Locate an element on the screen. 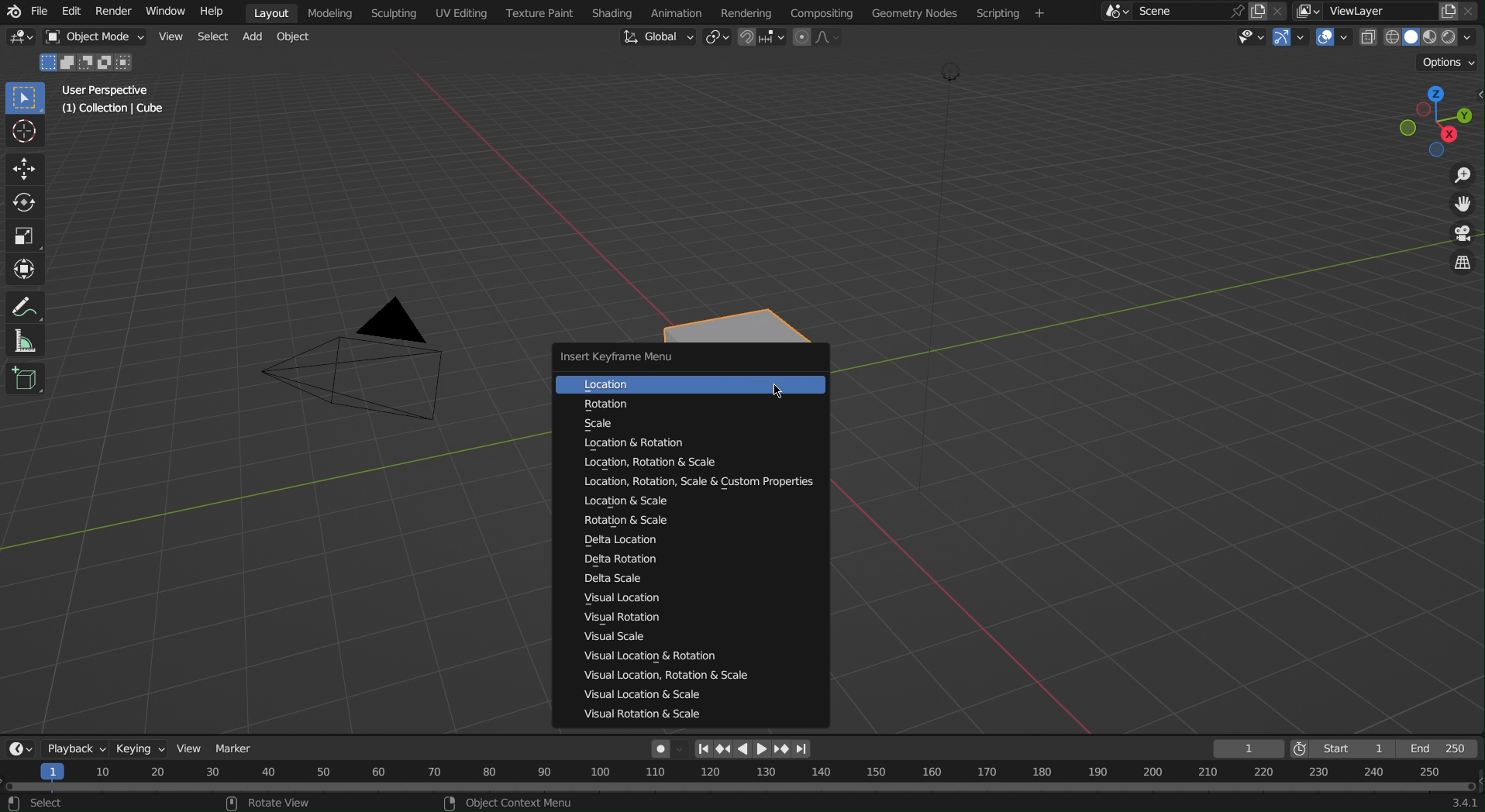  Location, Rotation &  Scale is located at coordinates (641, 463).